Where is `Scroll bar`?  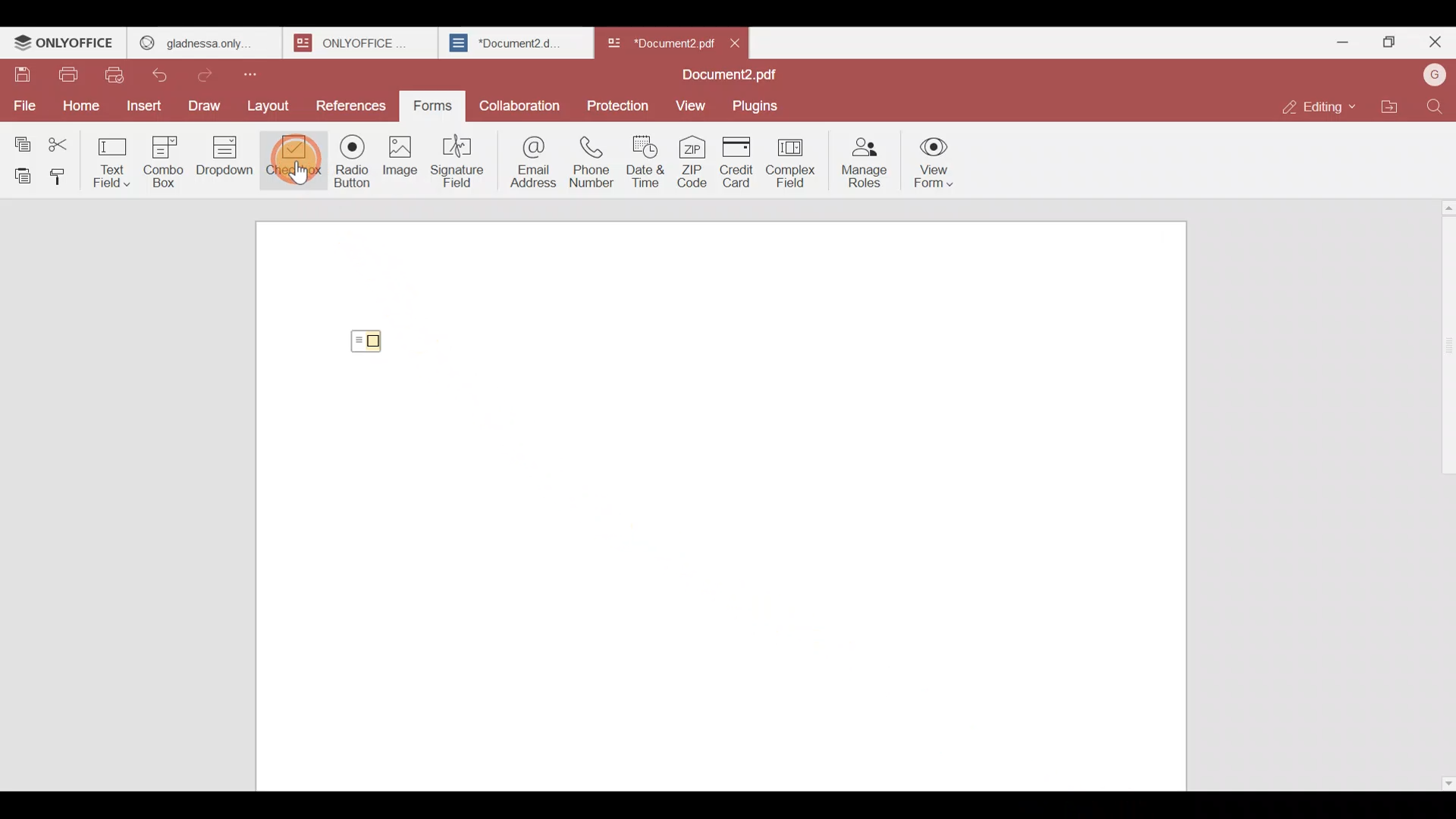
Scroll bar is located at coordinates (1443, 491).